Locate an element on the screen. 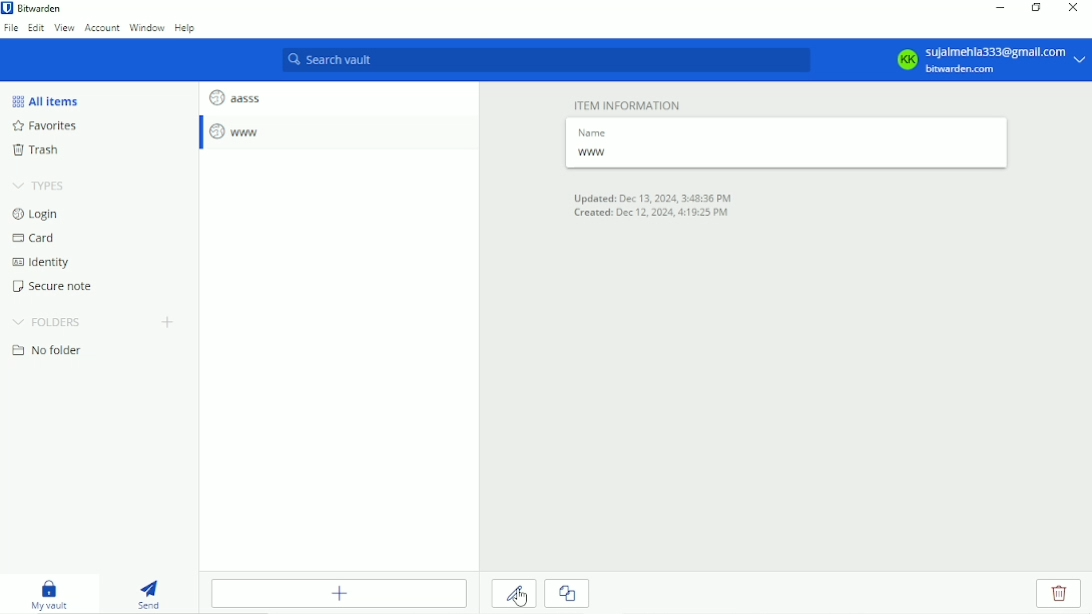 The image size is (1092, 614). Cursor is located at coordinates (521, 596).